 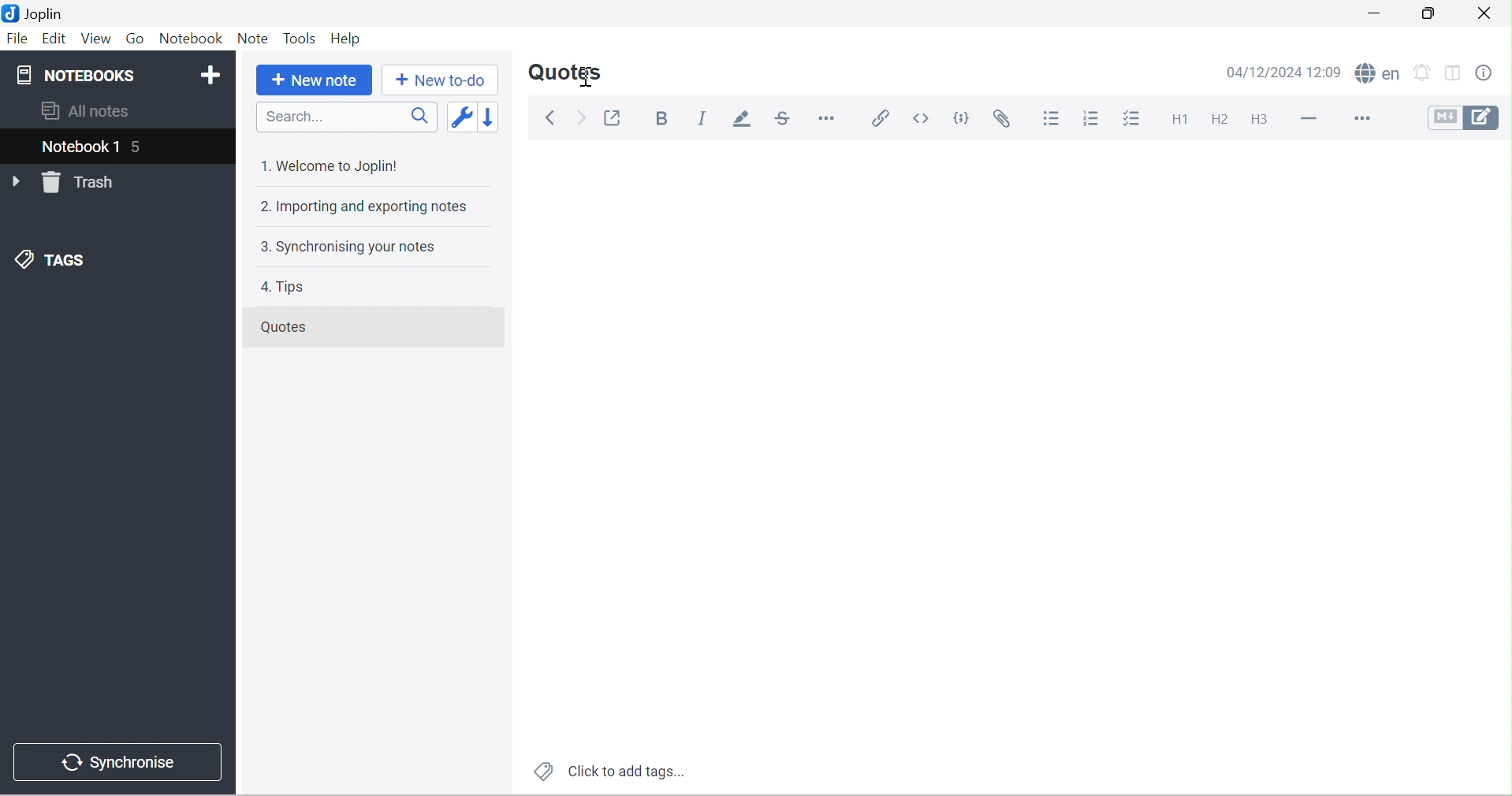 I want to click on Quotes, so click(x=568, y=73).